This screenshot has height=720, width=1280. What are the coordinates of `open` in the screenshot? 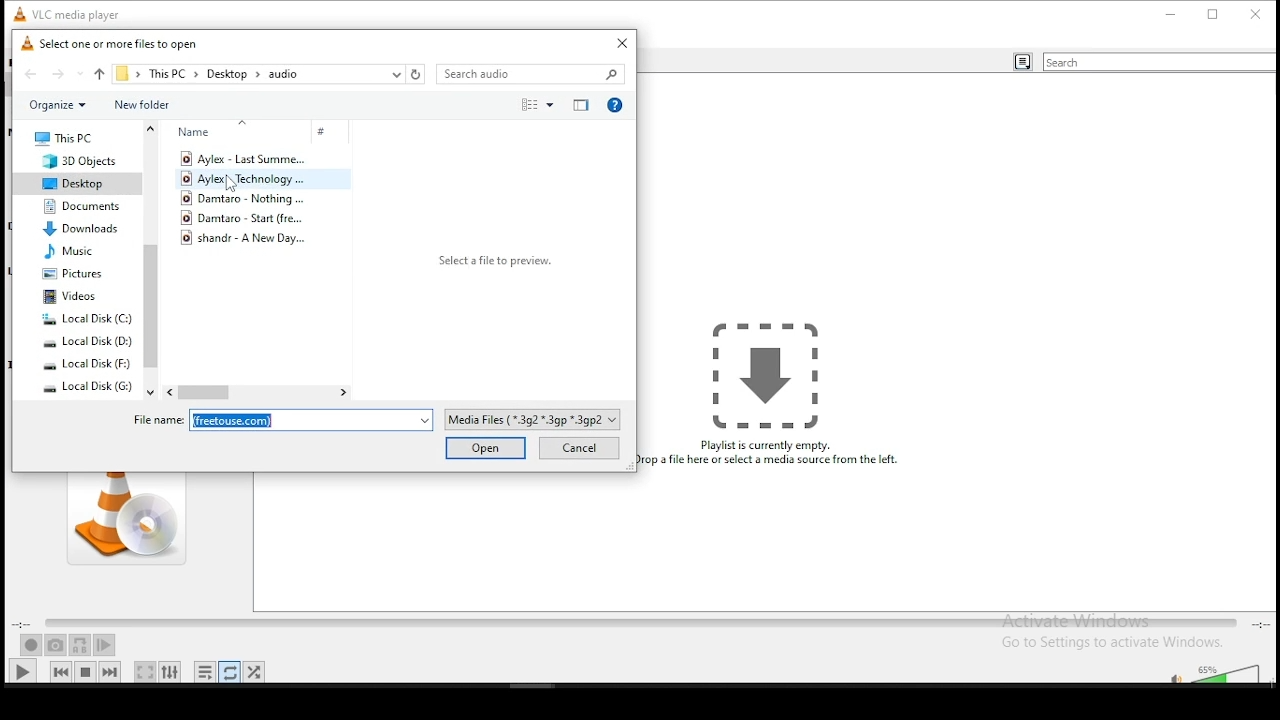 It's located at (487, 449).